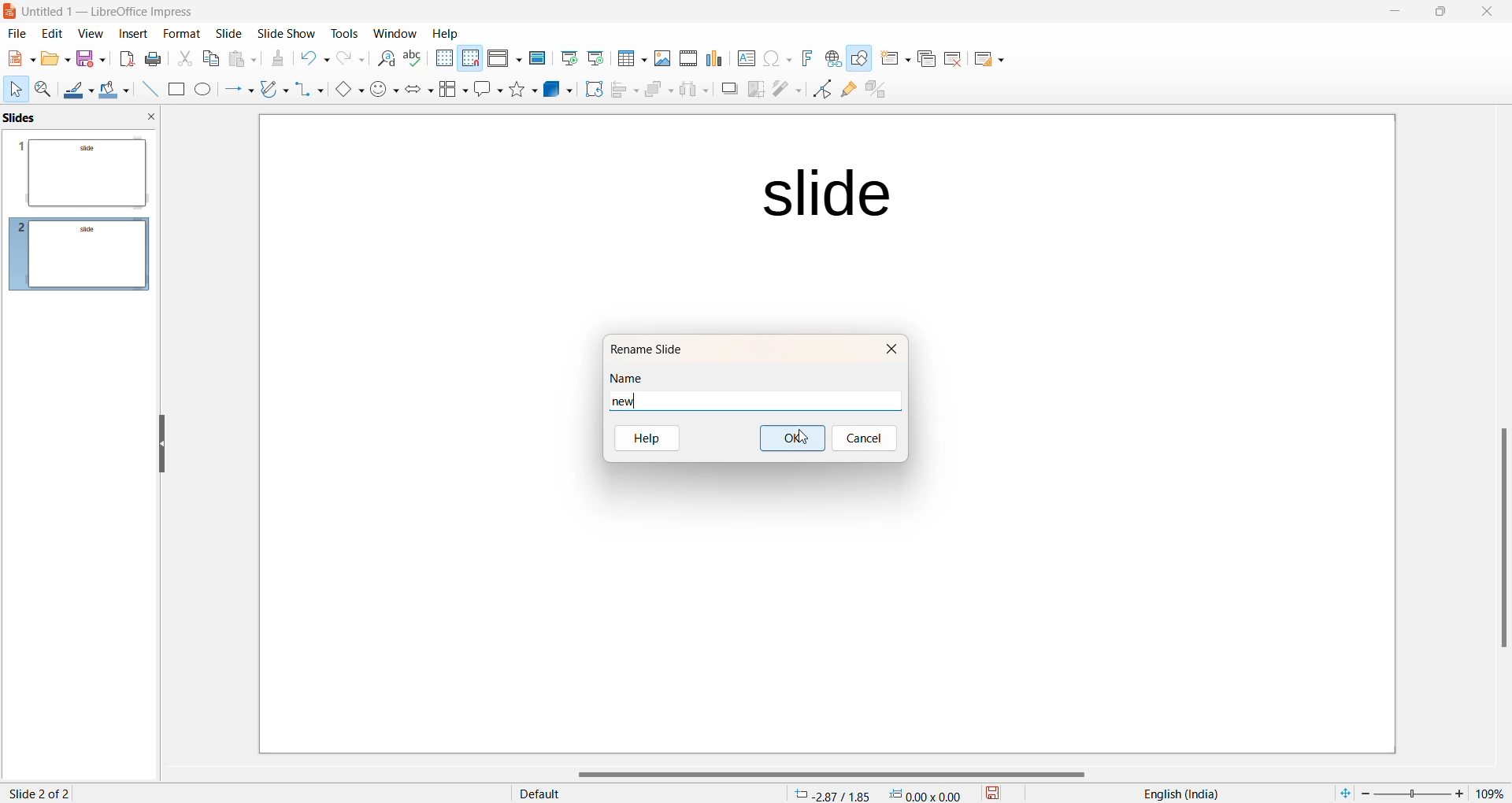 This screenshot has height=803, width=1512. Describe the element at coordinates (54, 58) in the screenshot. I see `New file` at that location.